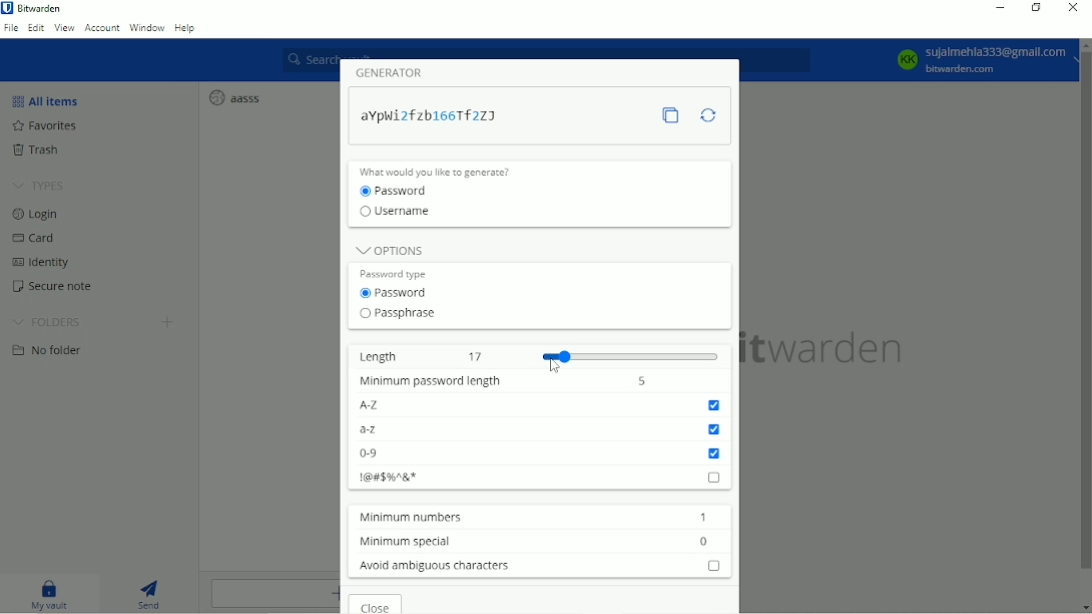 This screenshot has width=1092, height=614. Describe the element at coordinates (642, 380) in the screenshot. I see `5` at that location.